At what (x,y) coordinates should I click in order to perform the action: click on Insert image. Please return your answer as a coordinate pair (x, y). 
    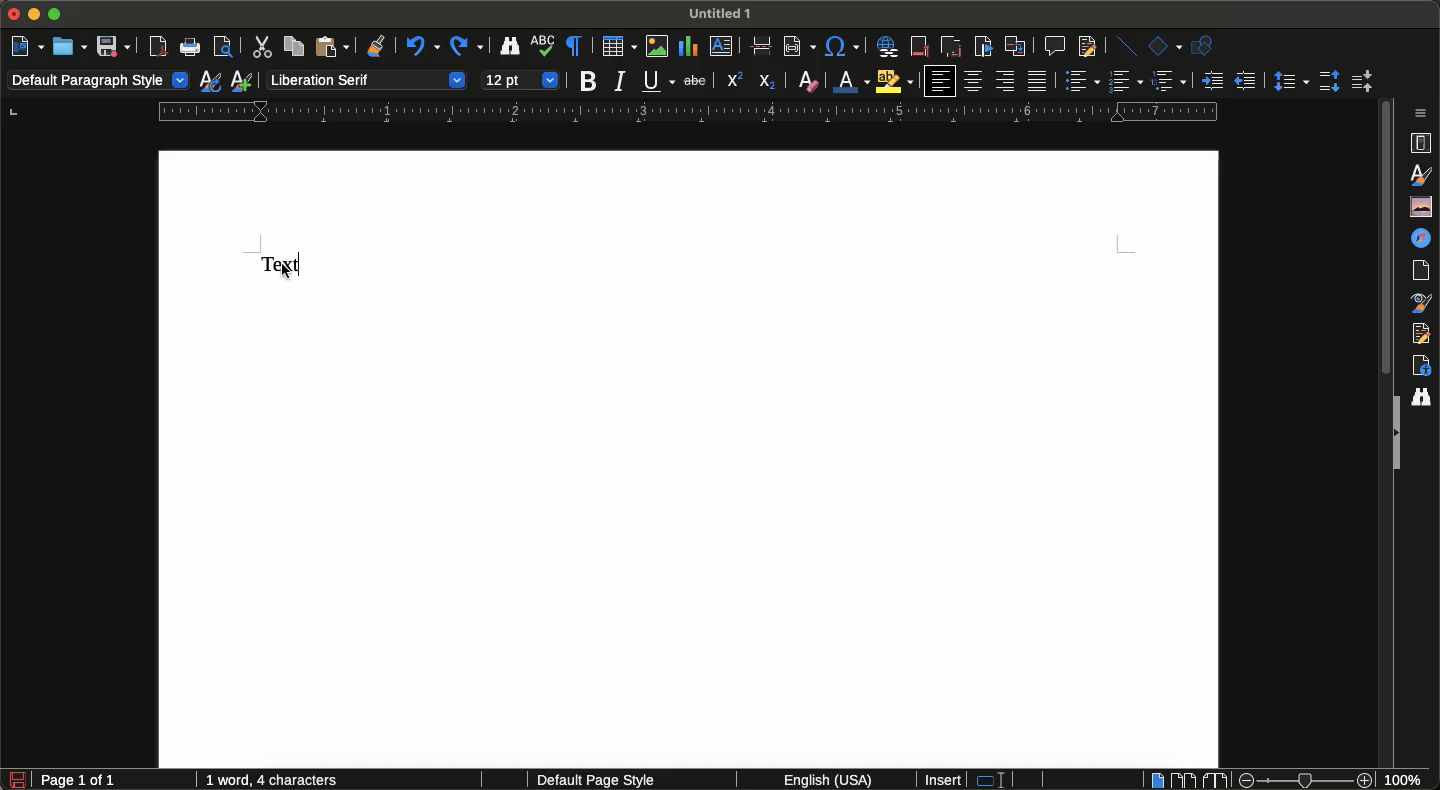
    Looking at the image, I should click on (658, 46).